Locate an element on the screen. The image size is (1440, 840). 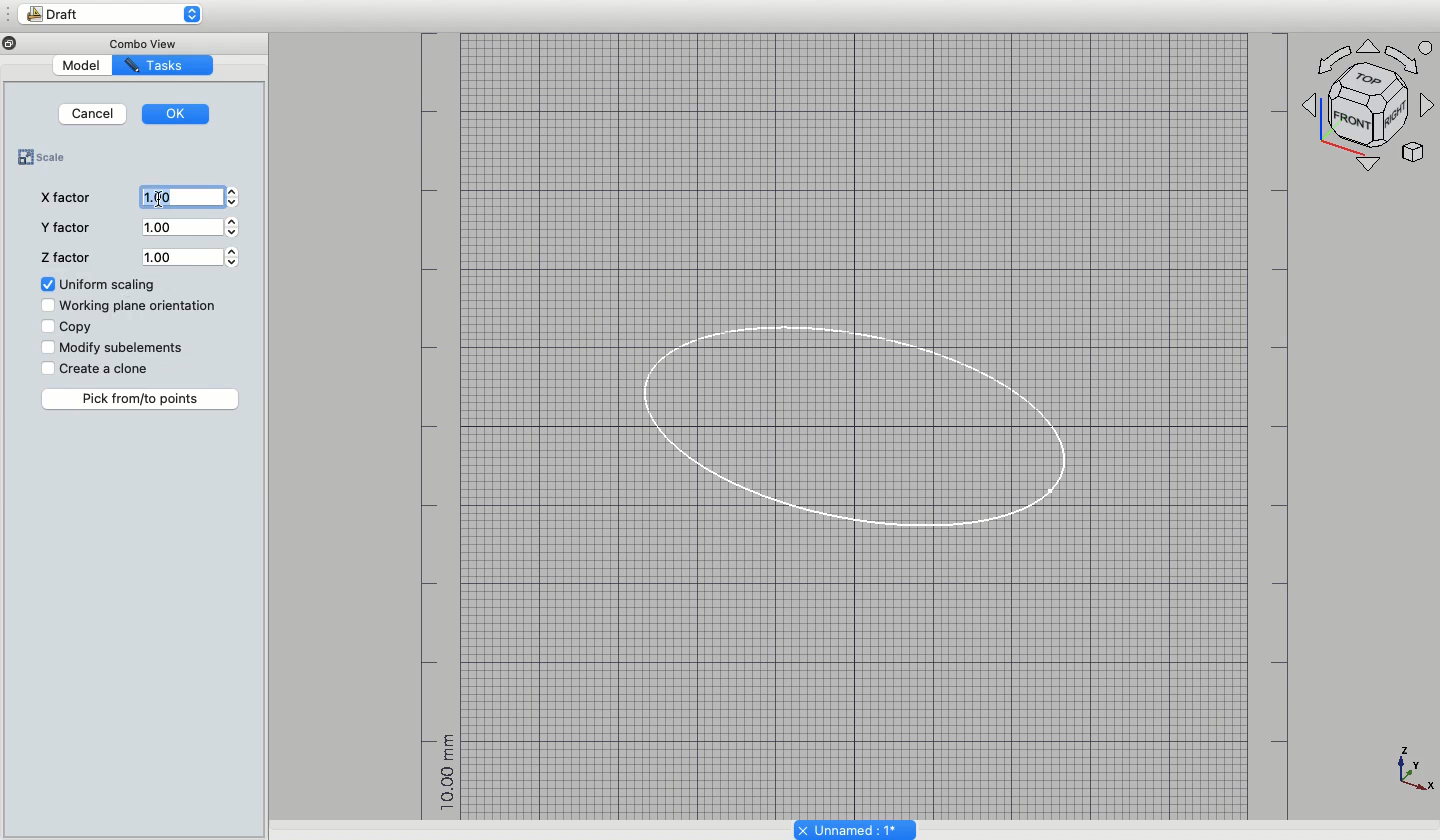
Oval is located at coordinates (848, 421).